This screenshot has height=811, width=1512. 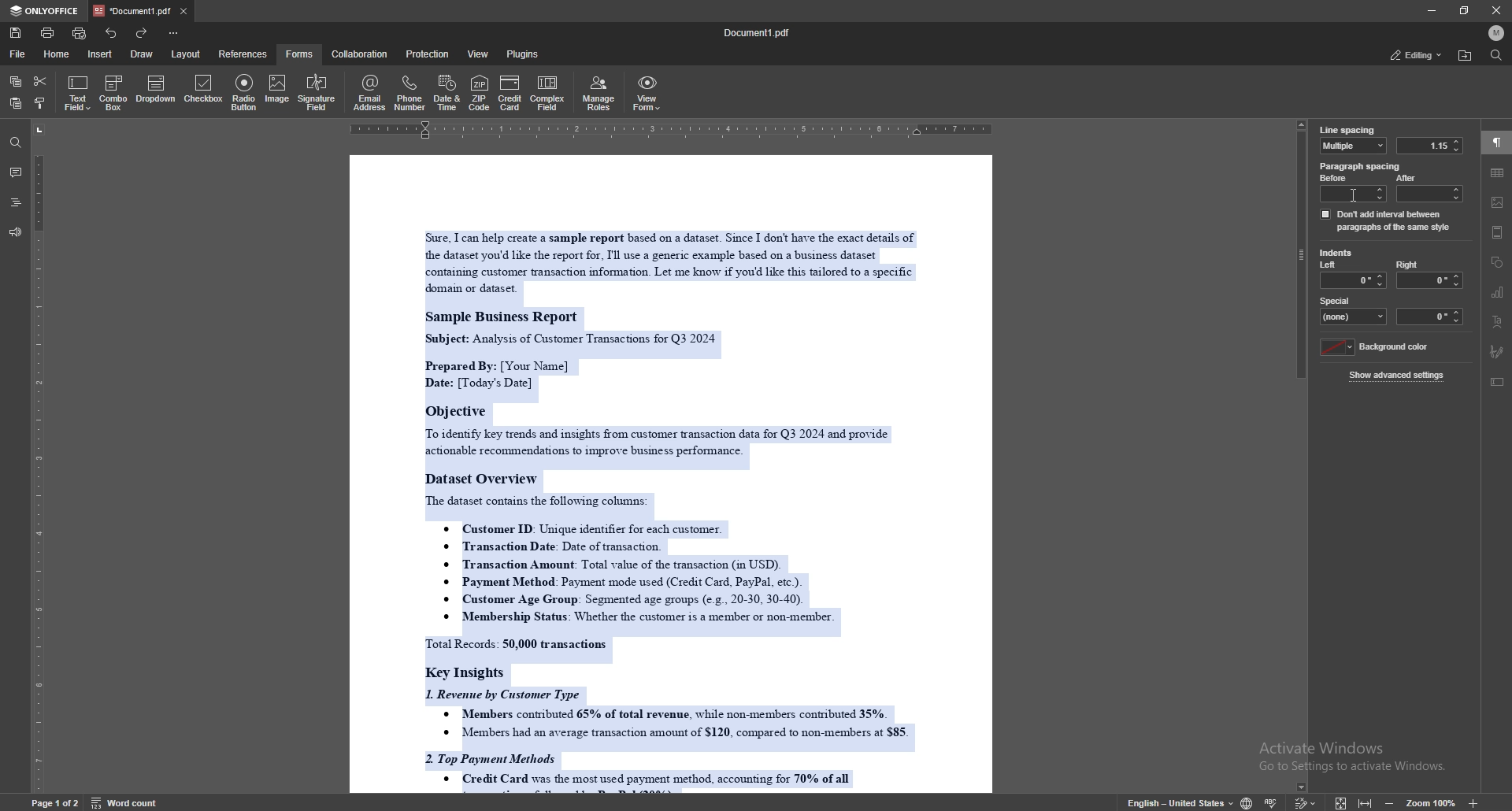 I want to click on change text language, so click(x=1180, y=802).